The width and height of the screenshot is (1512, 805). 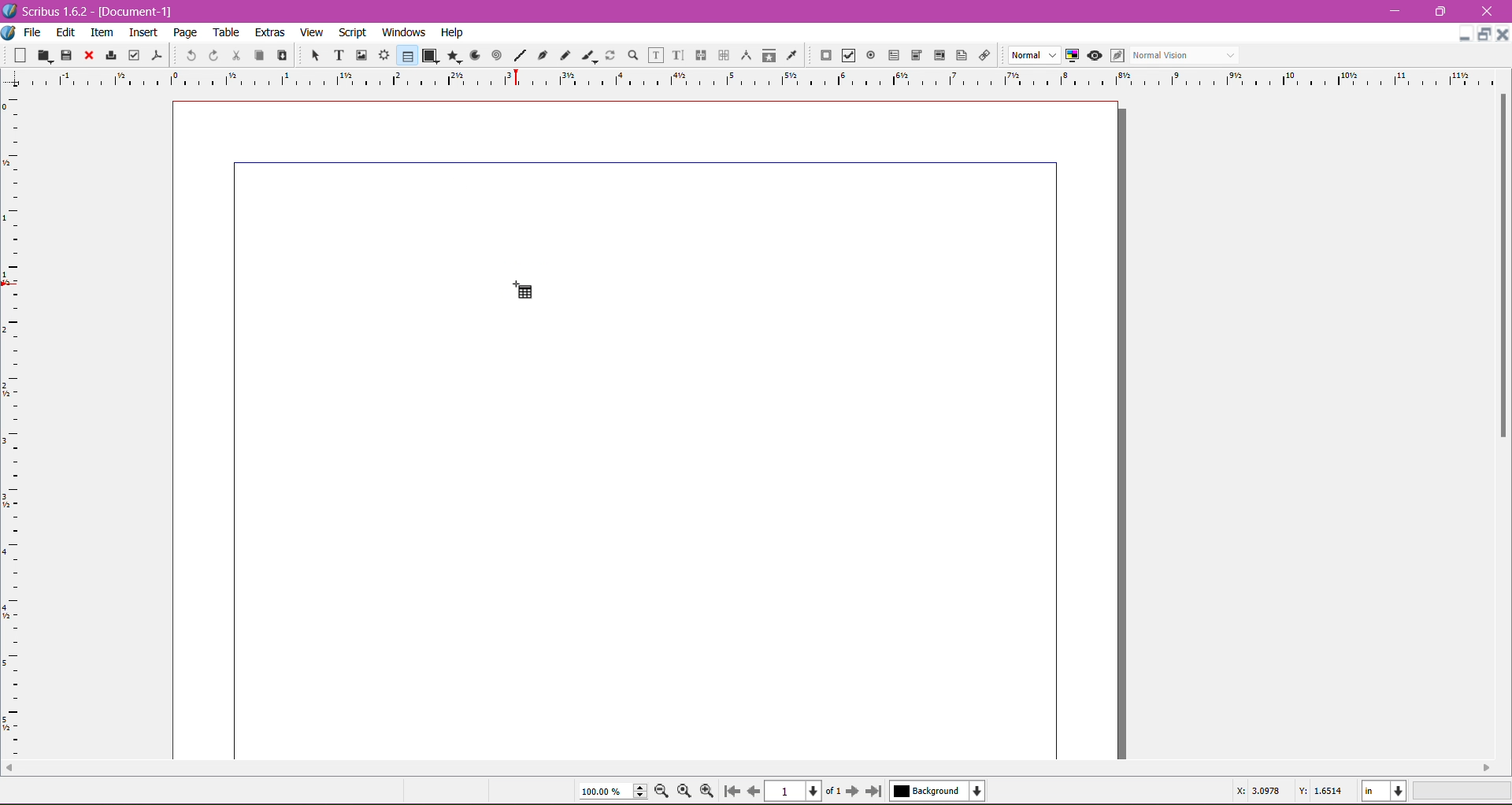 I want to click on Calligraphic Line, so click(x=588, y=54).